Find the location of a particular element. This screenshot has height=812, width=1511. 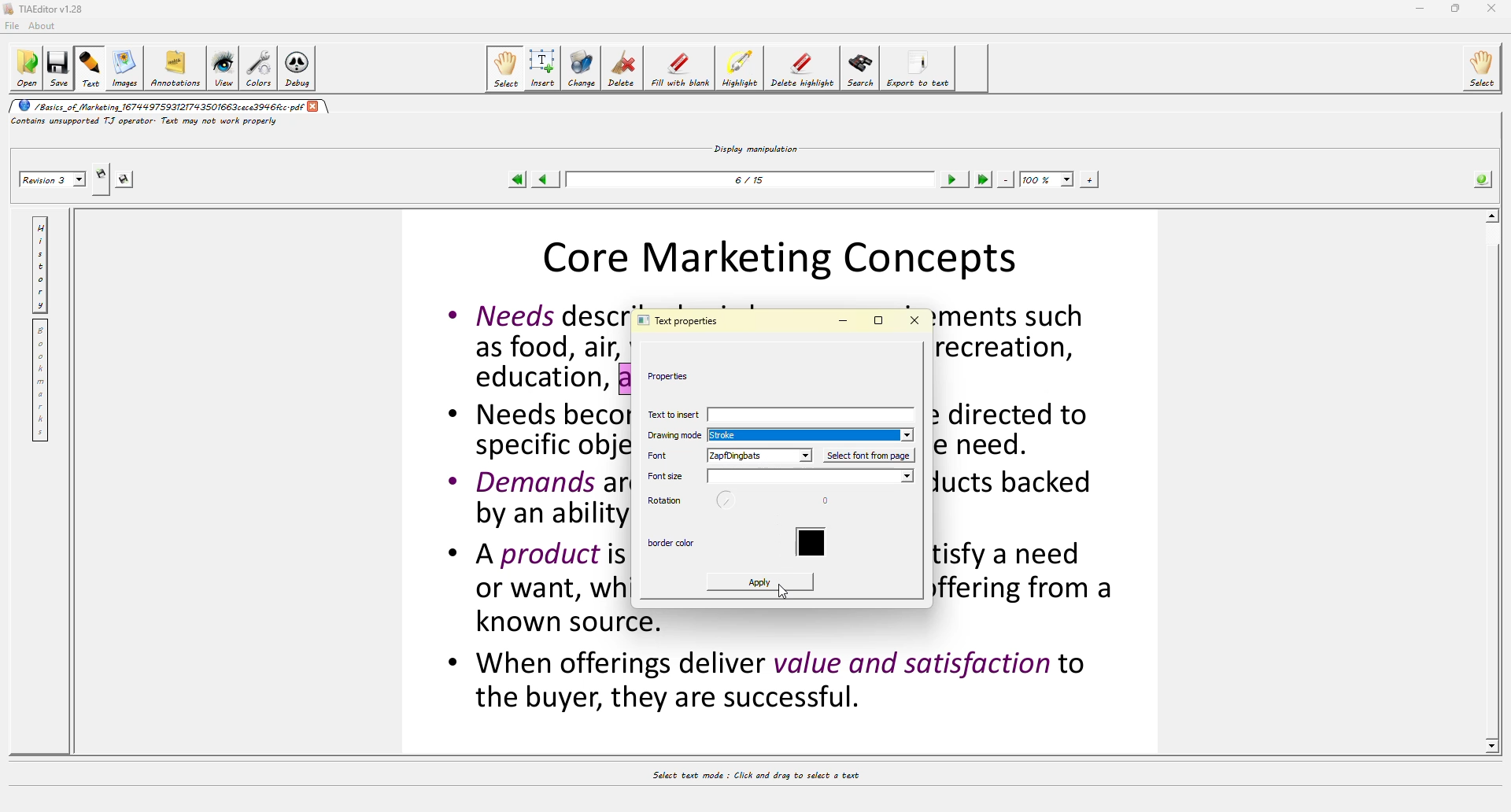

TIAEditor v1.28 is located at coordinates (42, 8).